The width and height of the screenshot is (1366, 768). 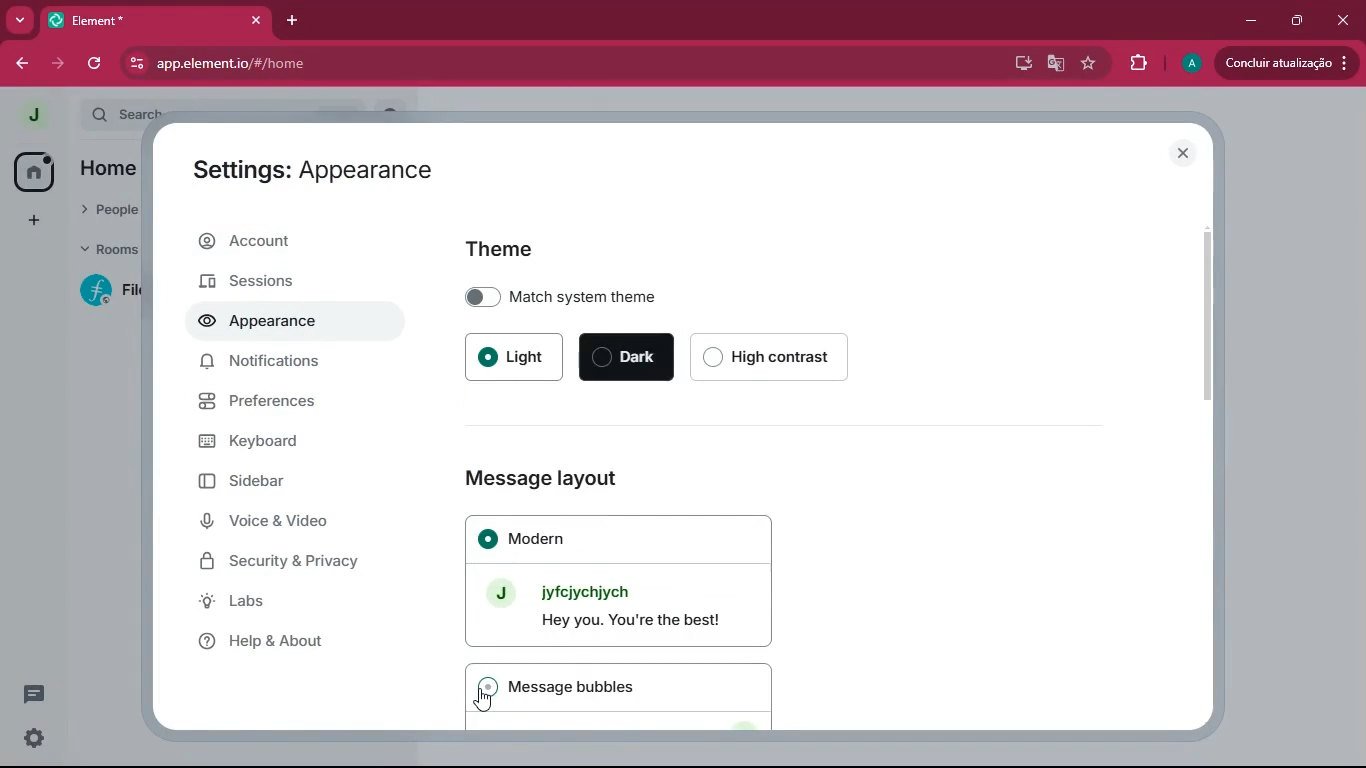 I want to click on message , so click(x=623, y=696).